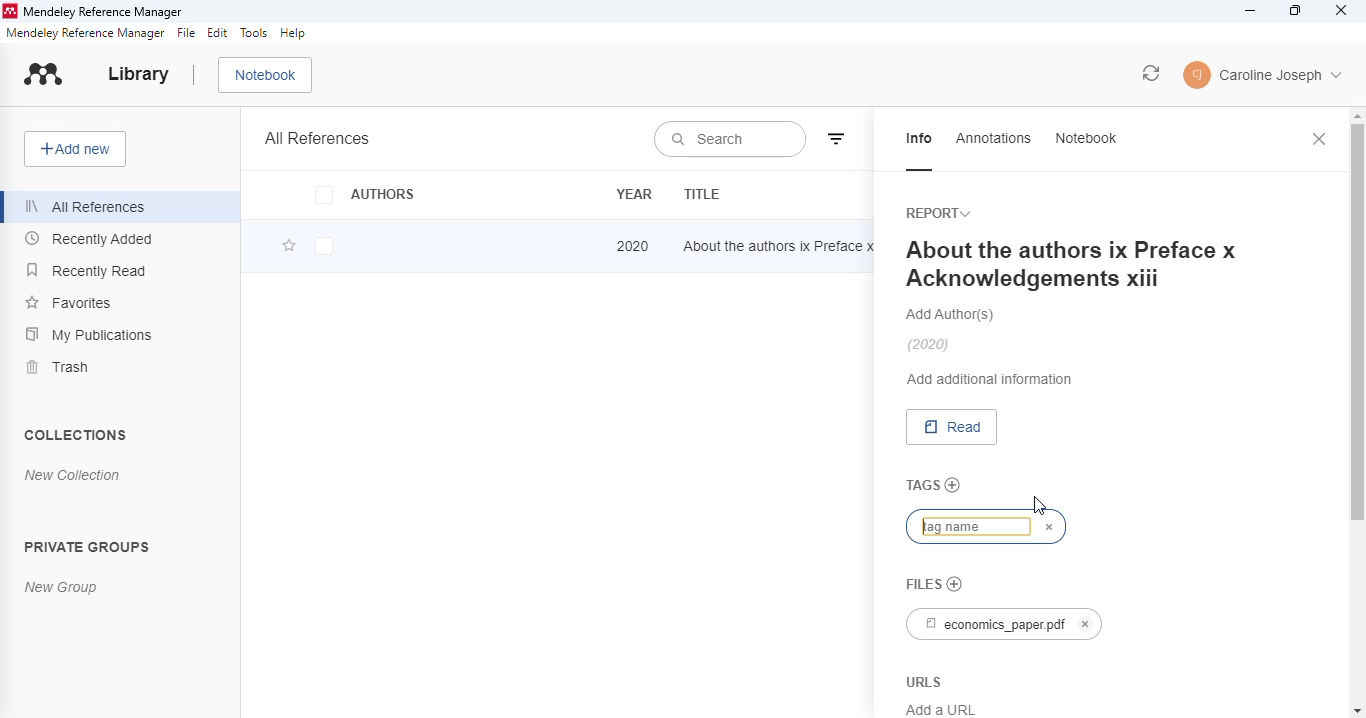  What do you see at coordinates (929, 345) in the screenshot?
I see `(2020)` at bounding box center [929, 345].